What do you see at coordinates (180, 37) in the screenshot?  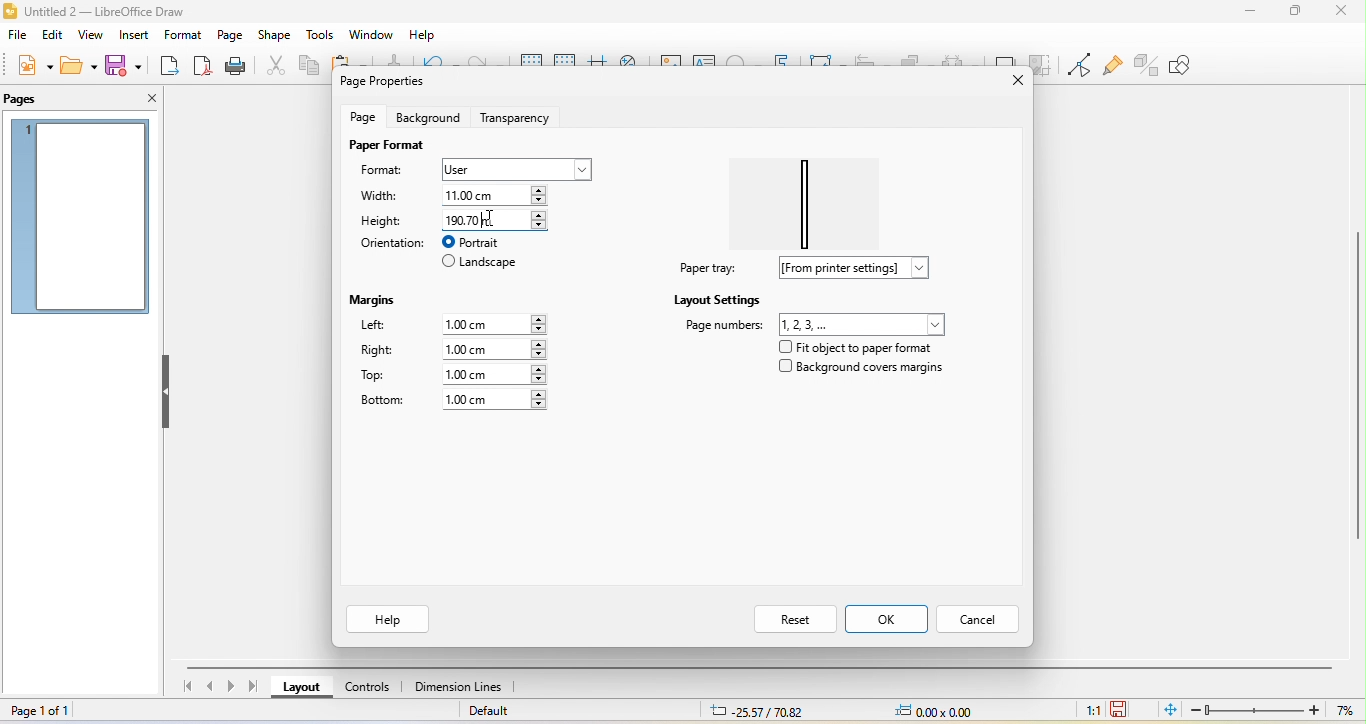 I see `format` at bounding box center [180, 37].